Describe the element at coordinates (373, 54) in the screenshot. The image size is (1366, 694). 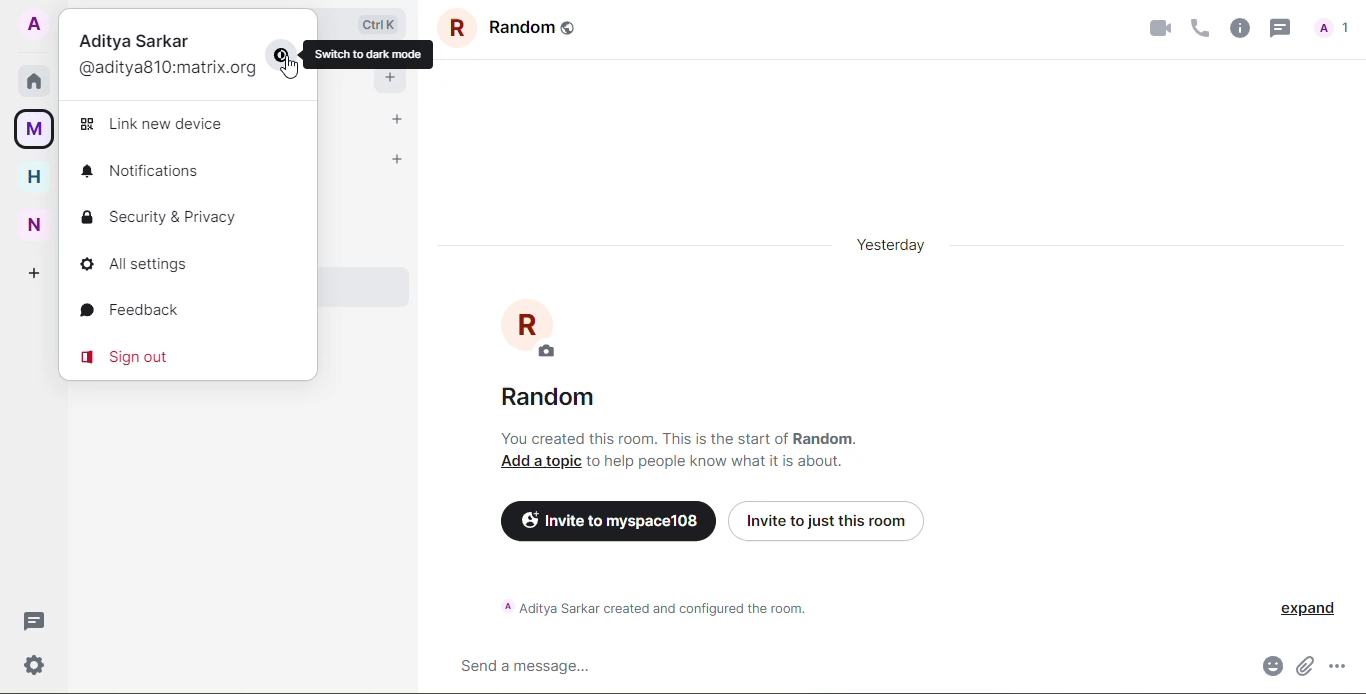
I see `switch to dark` at that location.